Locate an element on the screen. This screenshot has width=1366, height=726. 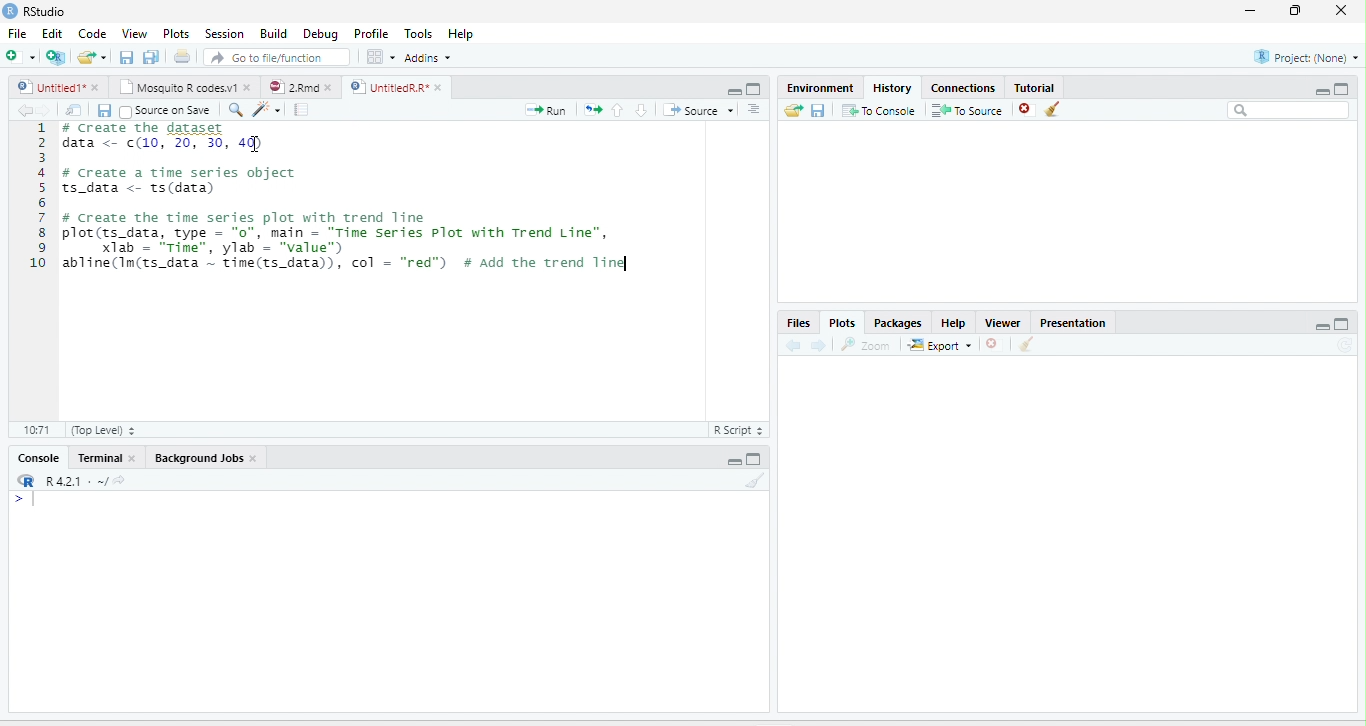
minimize is located at coordinates (1250, 11).